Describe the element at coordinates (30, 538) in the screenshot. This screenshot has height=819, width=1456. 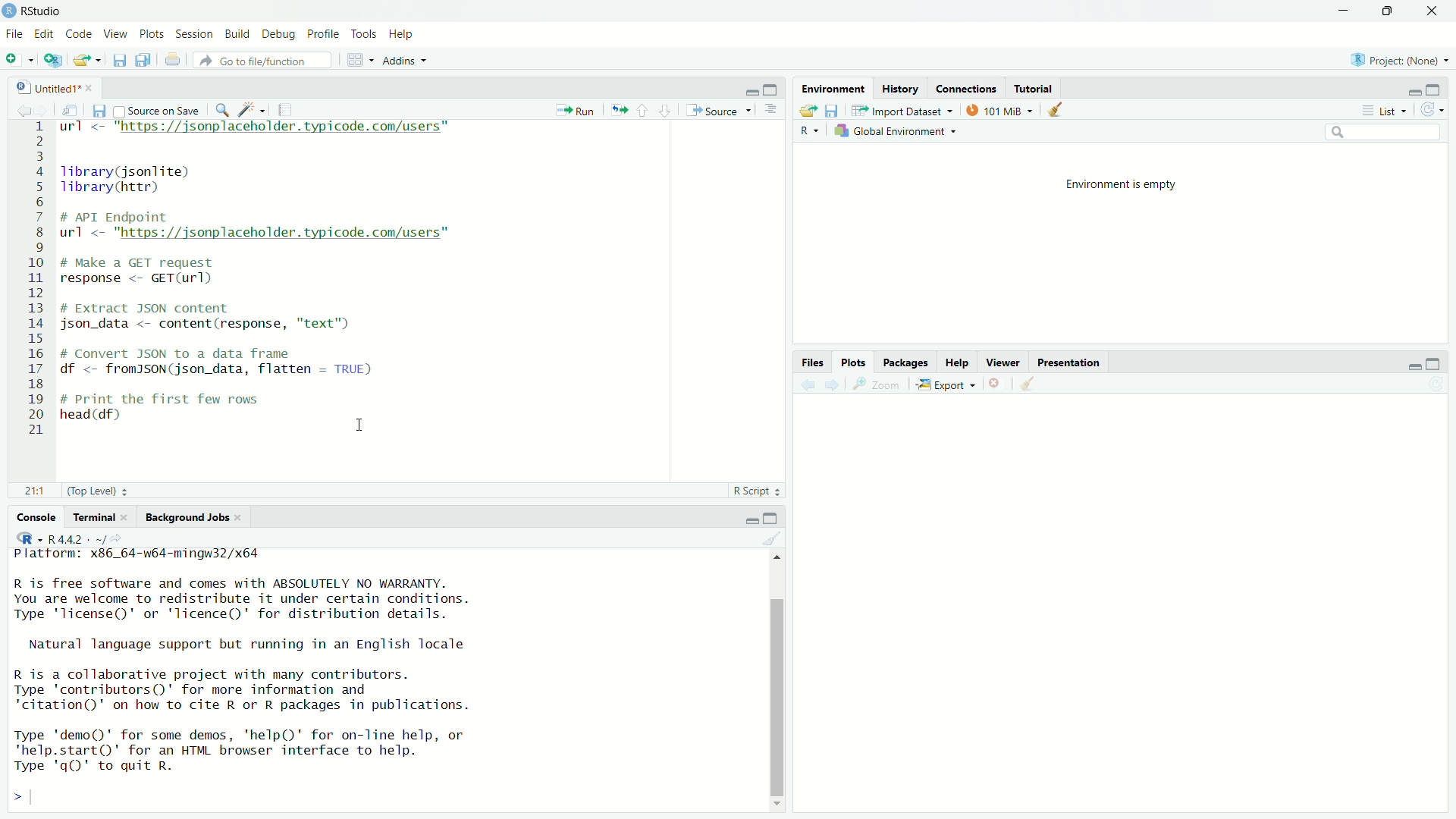
I see `R Icon` at that location.